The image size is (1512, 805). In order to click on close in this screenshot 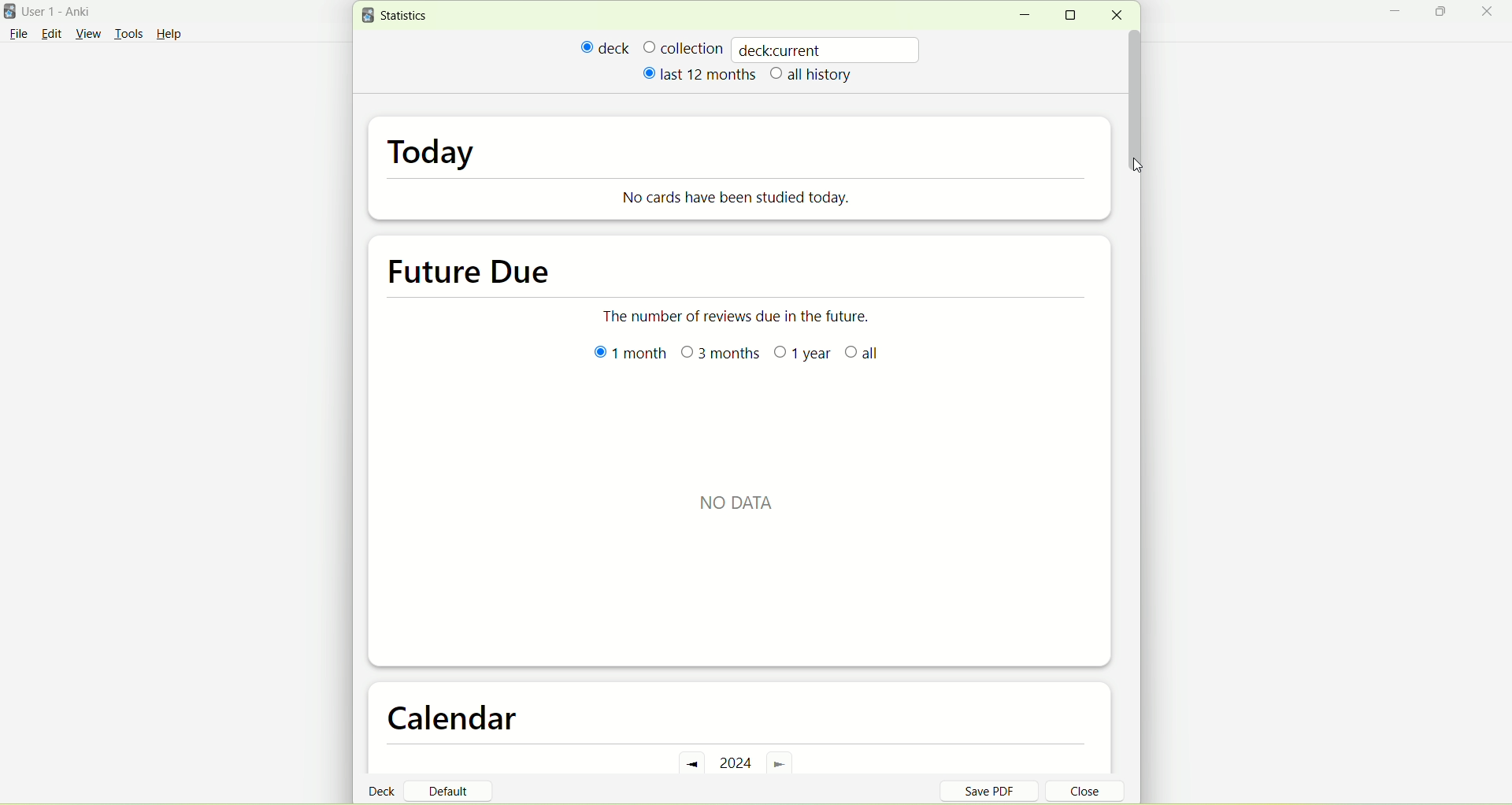, I will do `click(1490, 13)`.